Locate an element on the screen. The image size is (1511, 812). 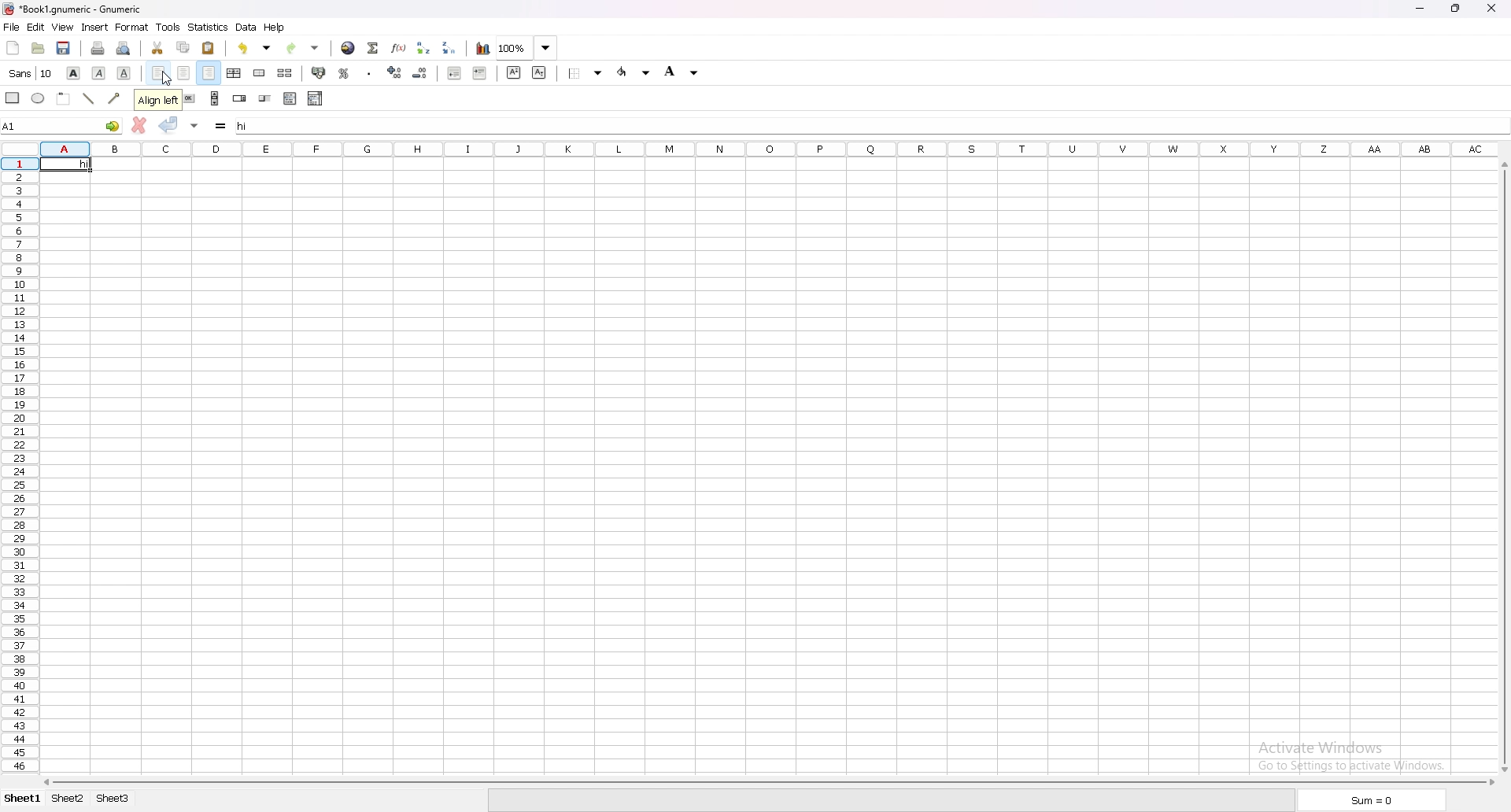
close is located at coordinates (1491, 8).